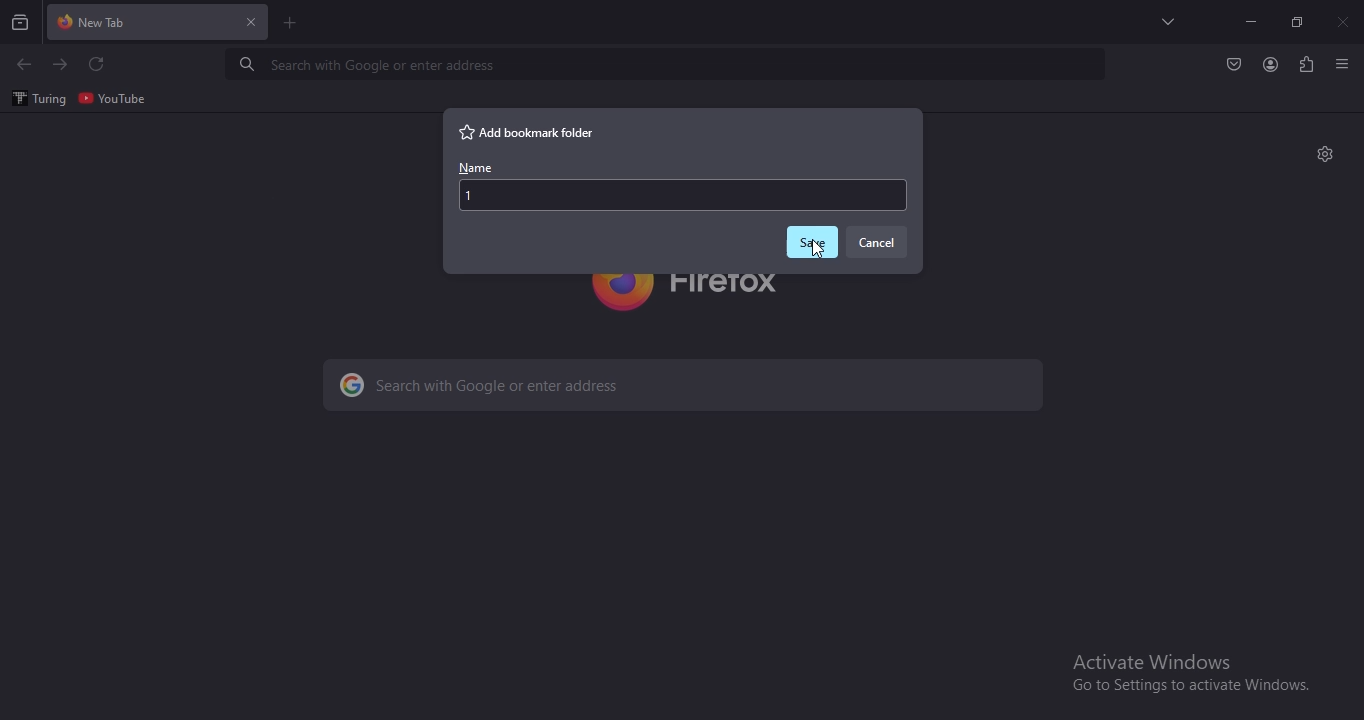 The width and height of the screenshot is (1364, 720). What do you see at coordinates (813, 258) in the screenshot?
I see `Cursor` at bounding box center [813, 258].